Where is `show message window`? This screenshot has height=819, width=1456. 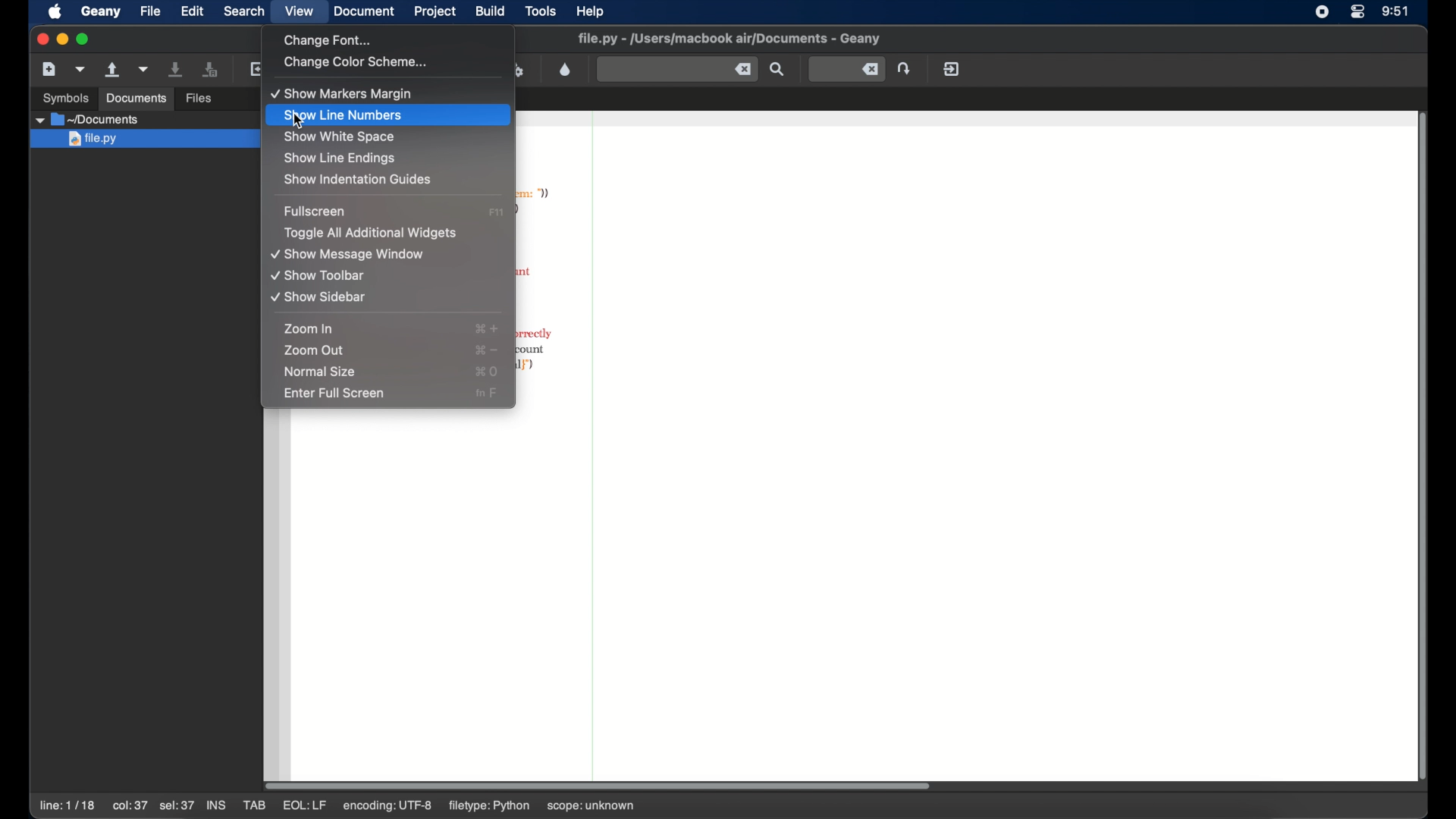
show message window is located at coordinates (349, 254).